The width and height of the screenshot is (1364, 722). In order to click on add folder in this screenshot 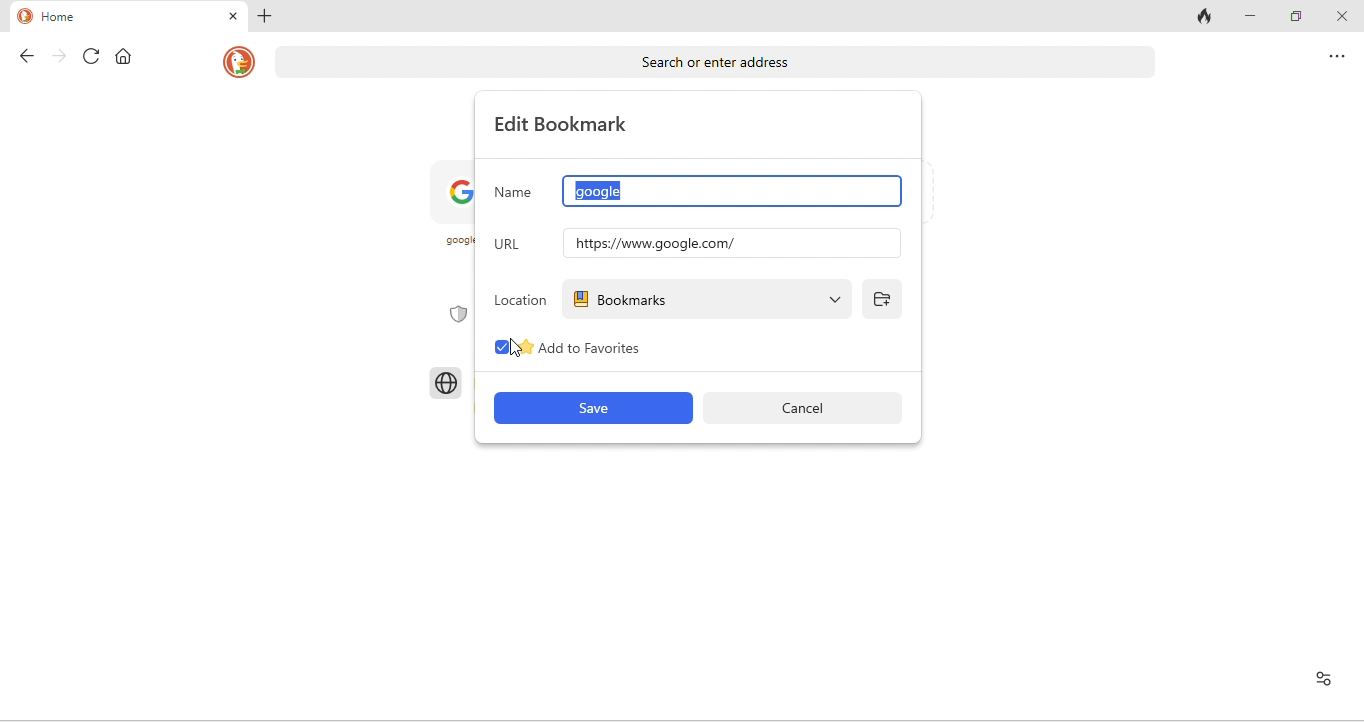, I will do `click(885, 299)`.